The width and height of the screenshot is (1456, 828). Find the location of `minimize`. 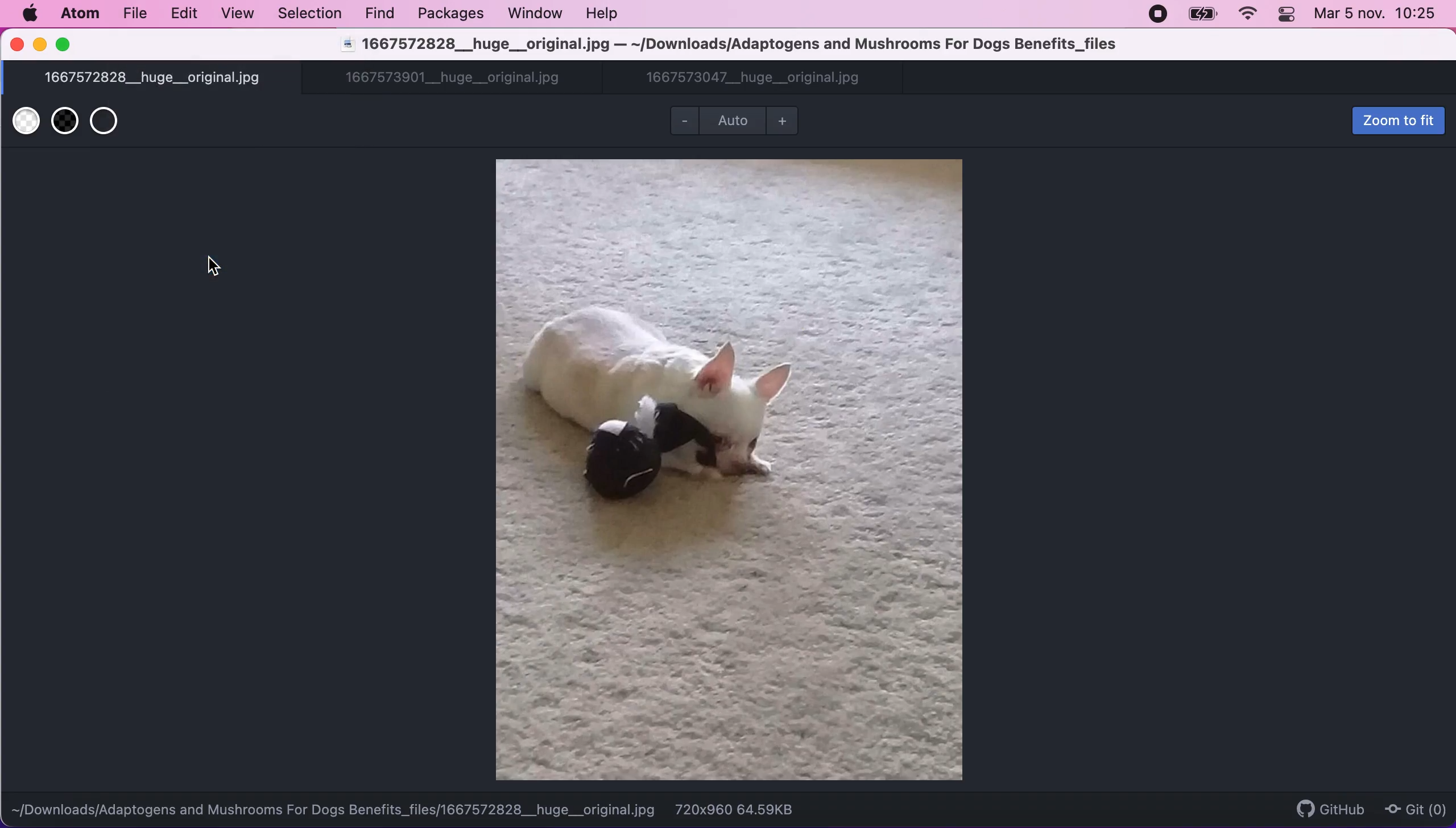

minimize is located at coordinates (40, 45).